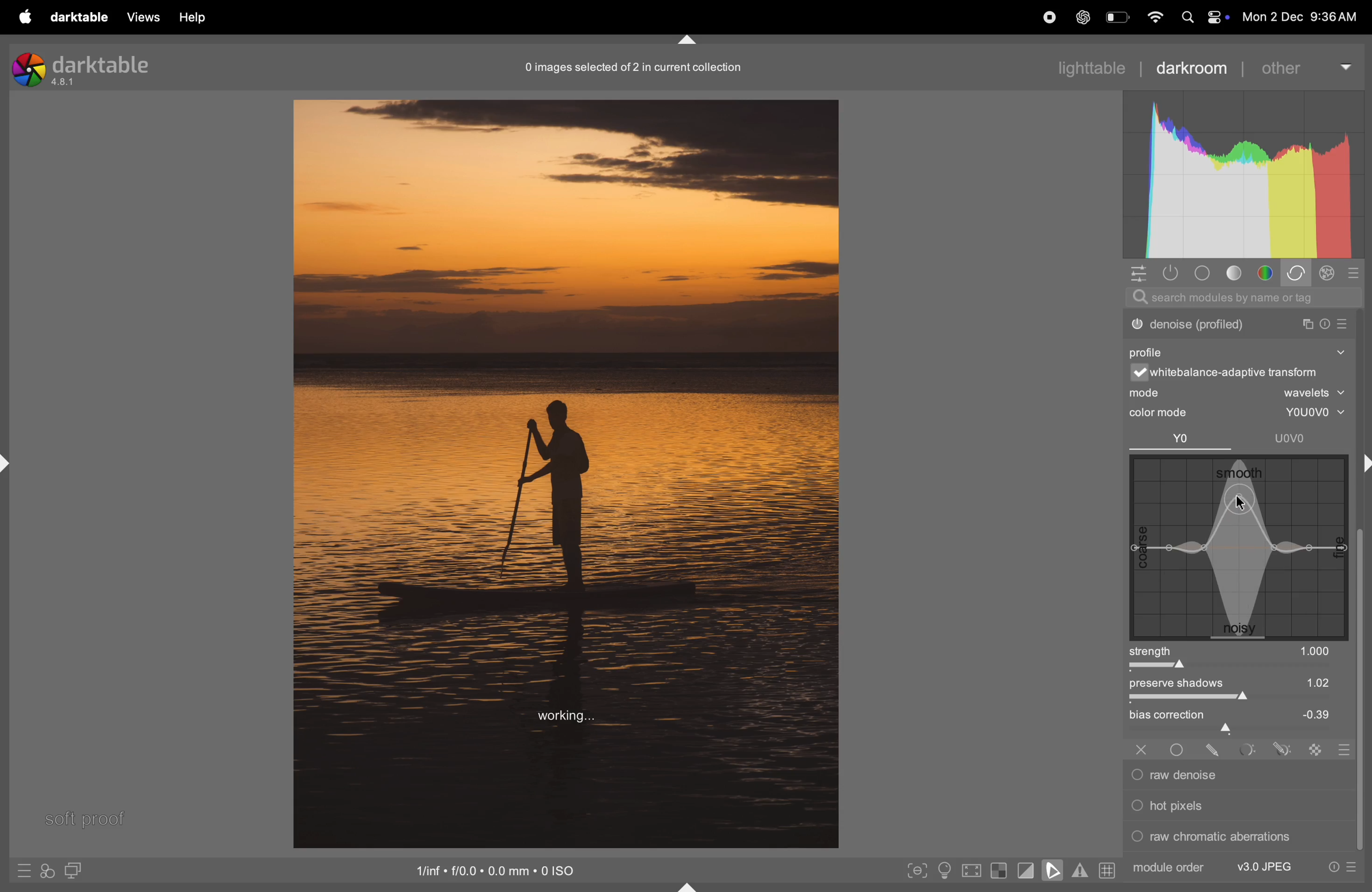 The width and height of the screenshot is (1372, 892). Describe the element at coordinates (1091, 67) in the screenshot. I see `lighttable` at that location.